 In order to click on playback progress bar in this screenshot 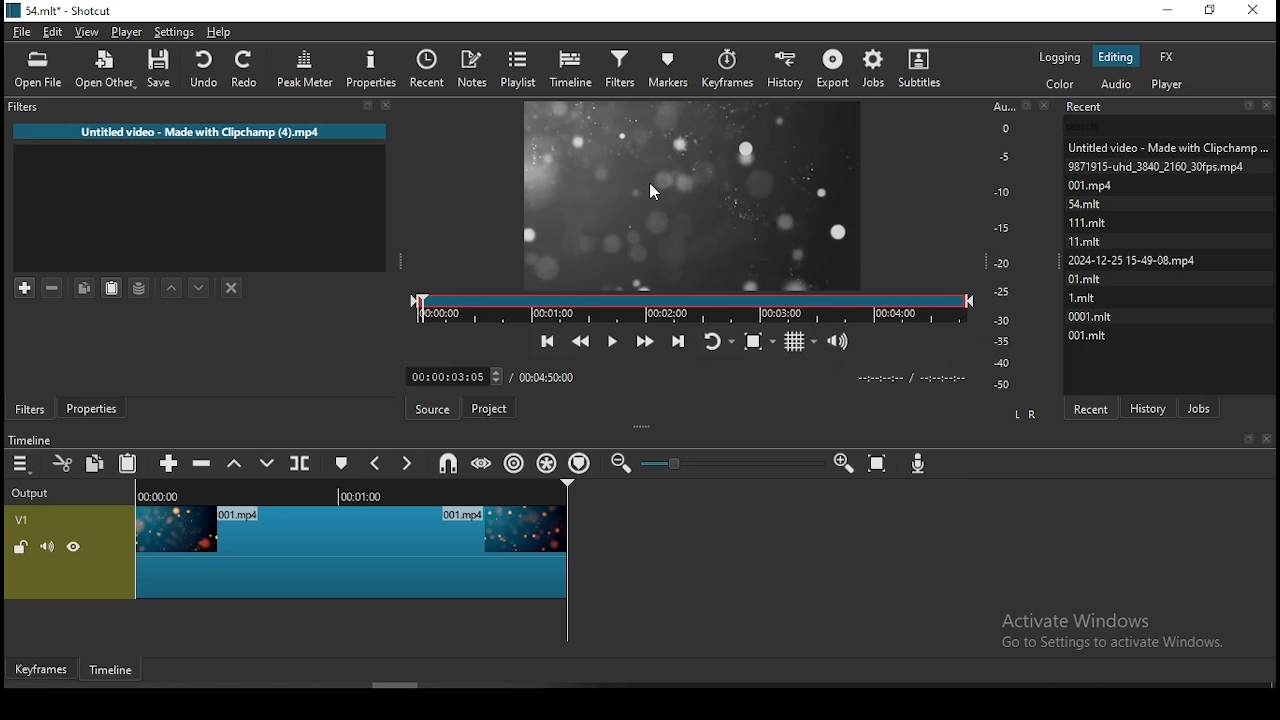, I will do `click(692, 309)`.